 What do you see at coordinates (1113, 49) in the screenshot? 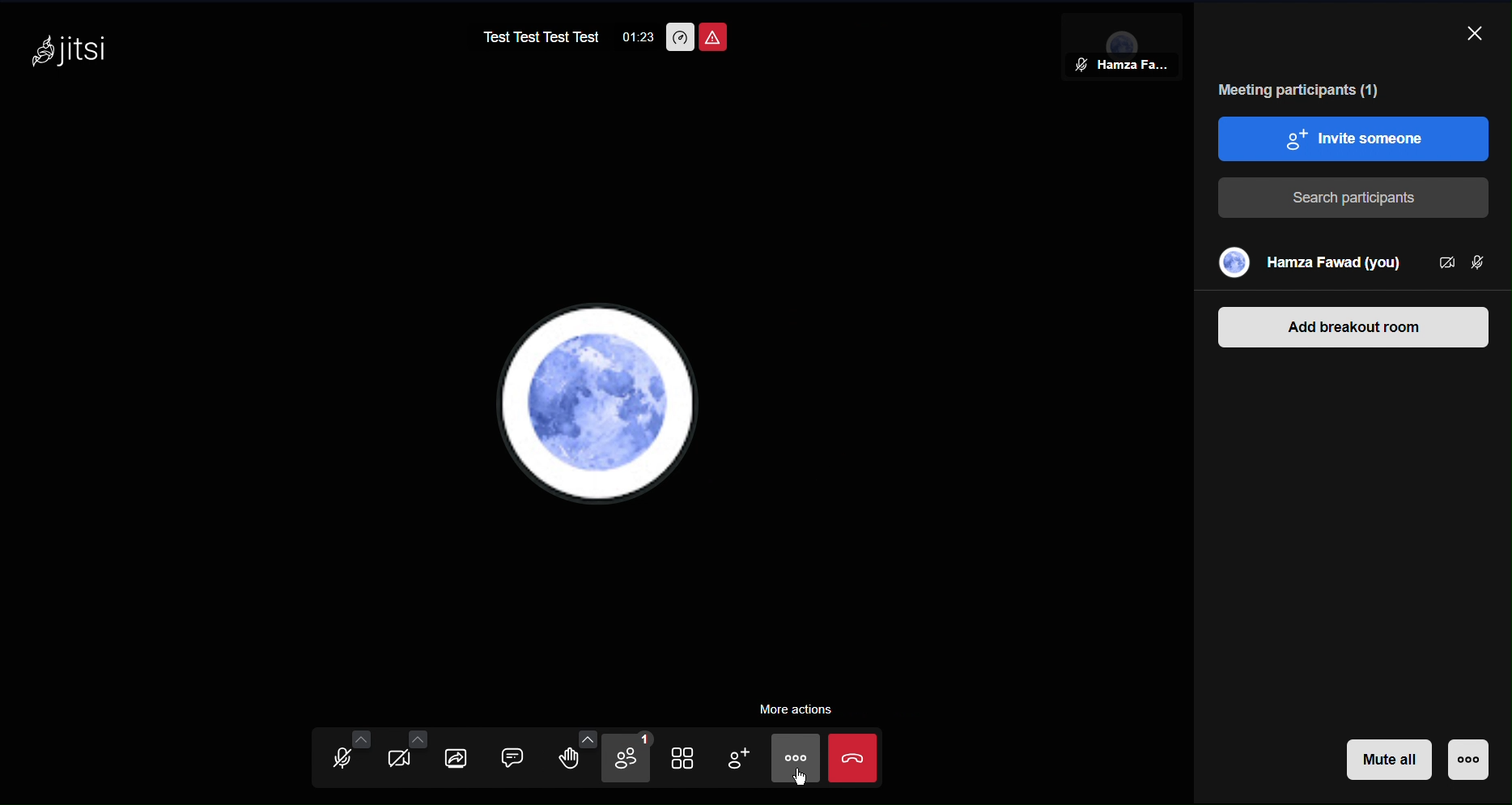
I see `Participant view` at bounding box center [1113, 49].